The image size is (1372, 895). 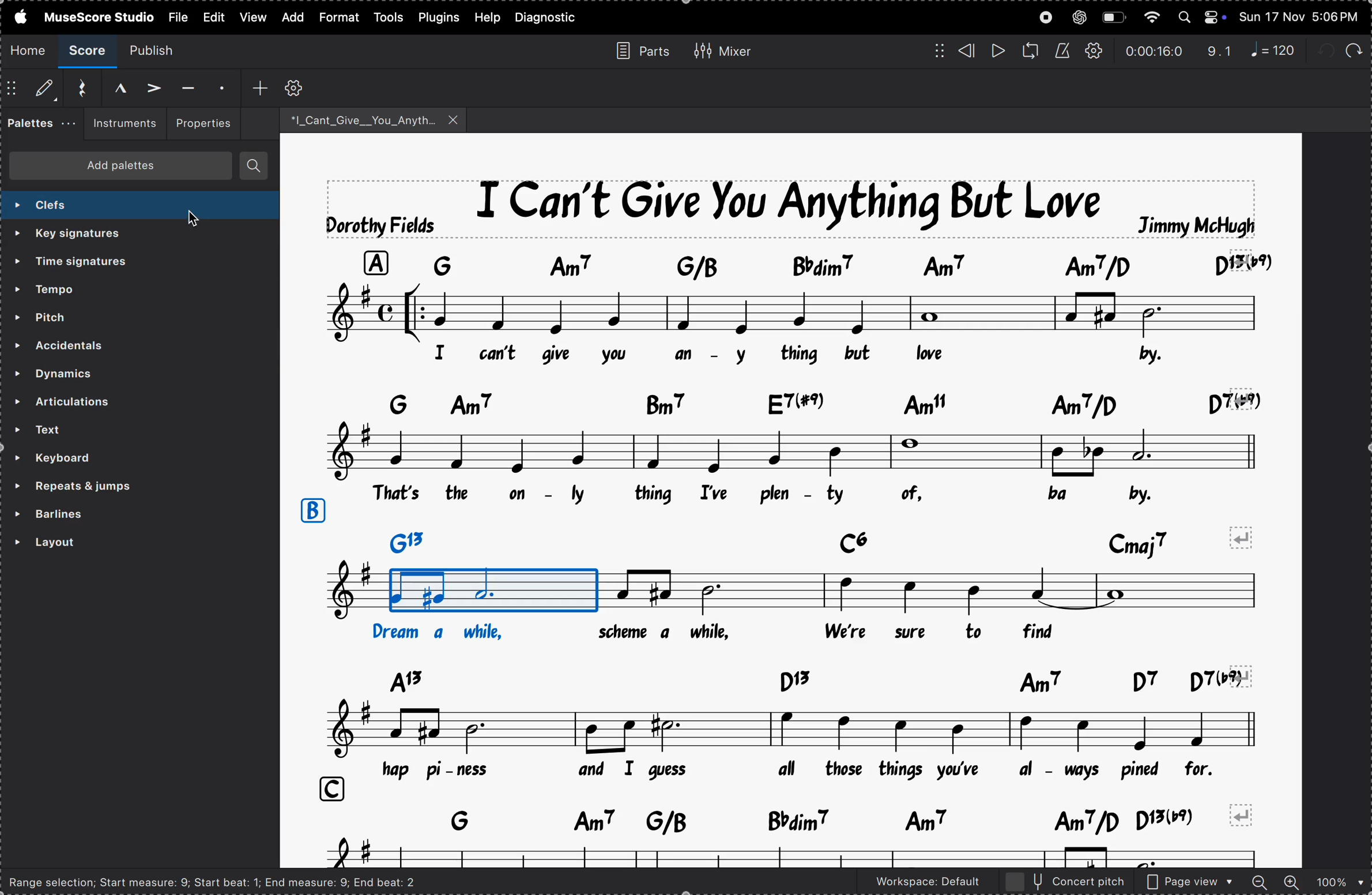 What do you see at coordinates (101, 517) in the screenshot?
I see `barlines` at bounding box center [101, 517].